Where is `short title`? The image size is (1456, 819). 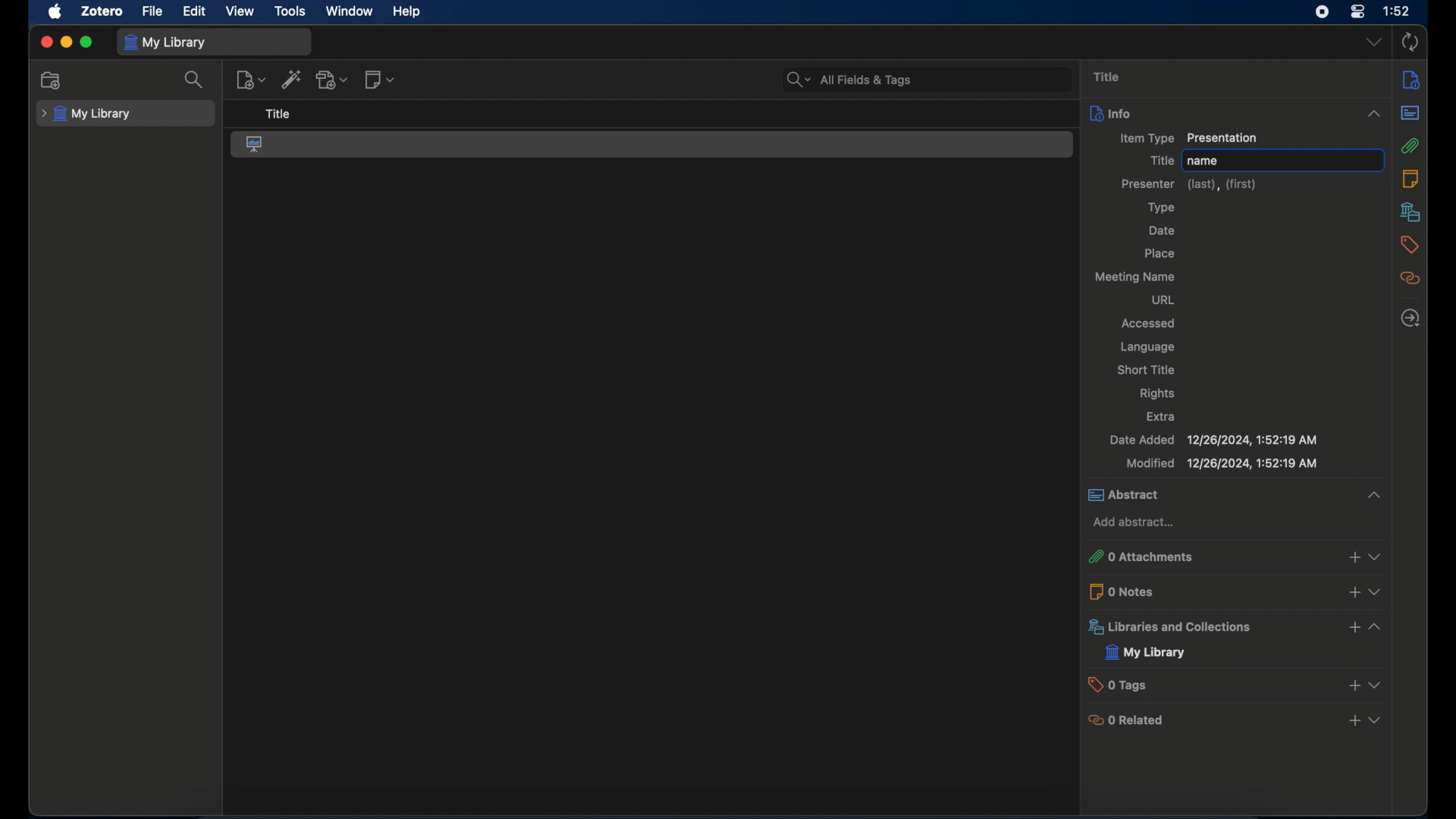 short title is located at coordinates (1150, 371).